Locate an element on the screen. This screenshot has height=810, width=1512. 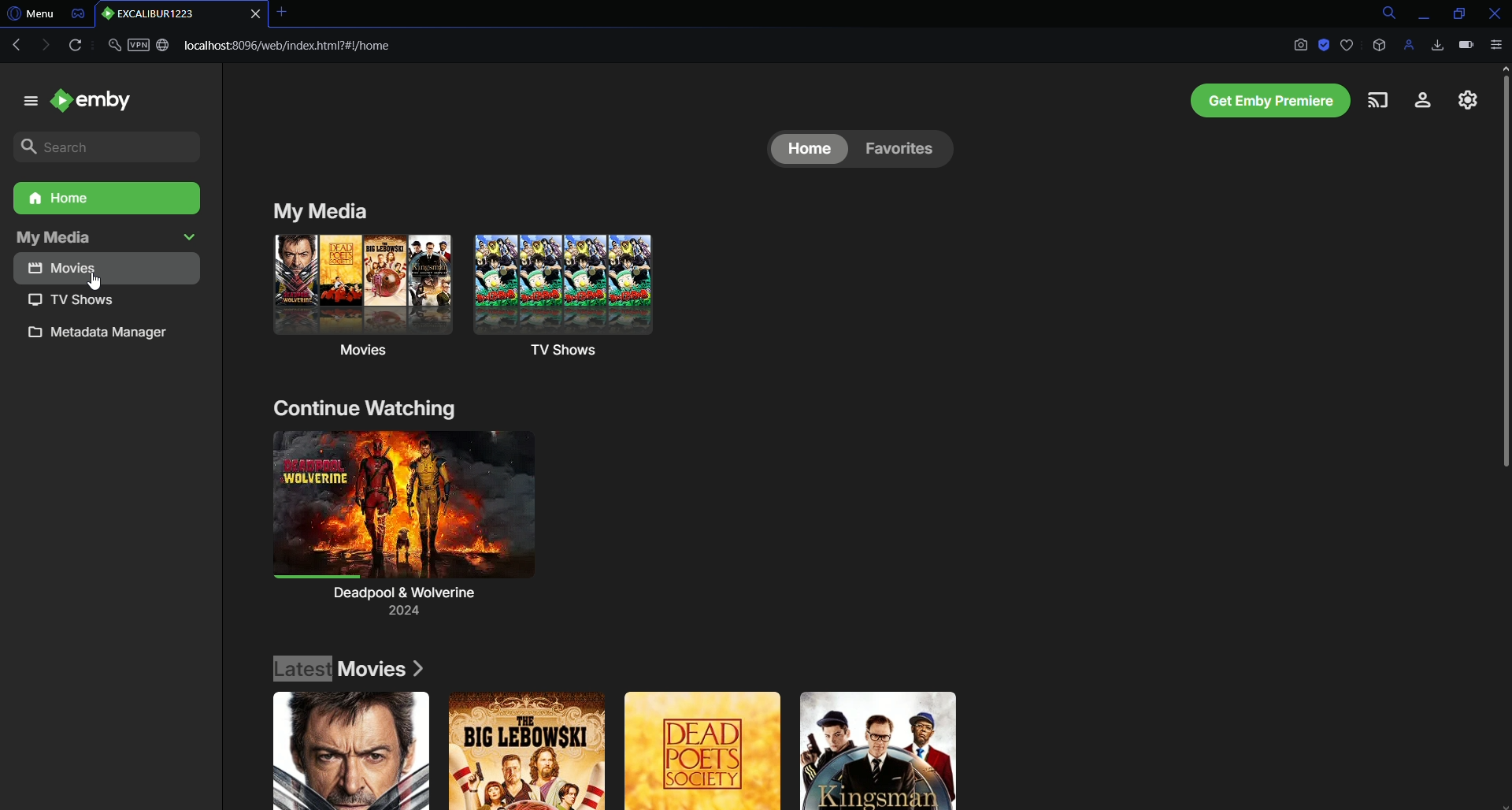
Home is located at coordinates (111, 202).